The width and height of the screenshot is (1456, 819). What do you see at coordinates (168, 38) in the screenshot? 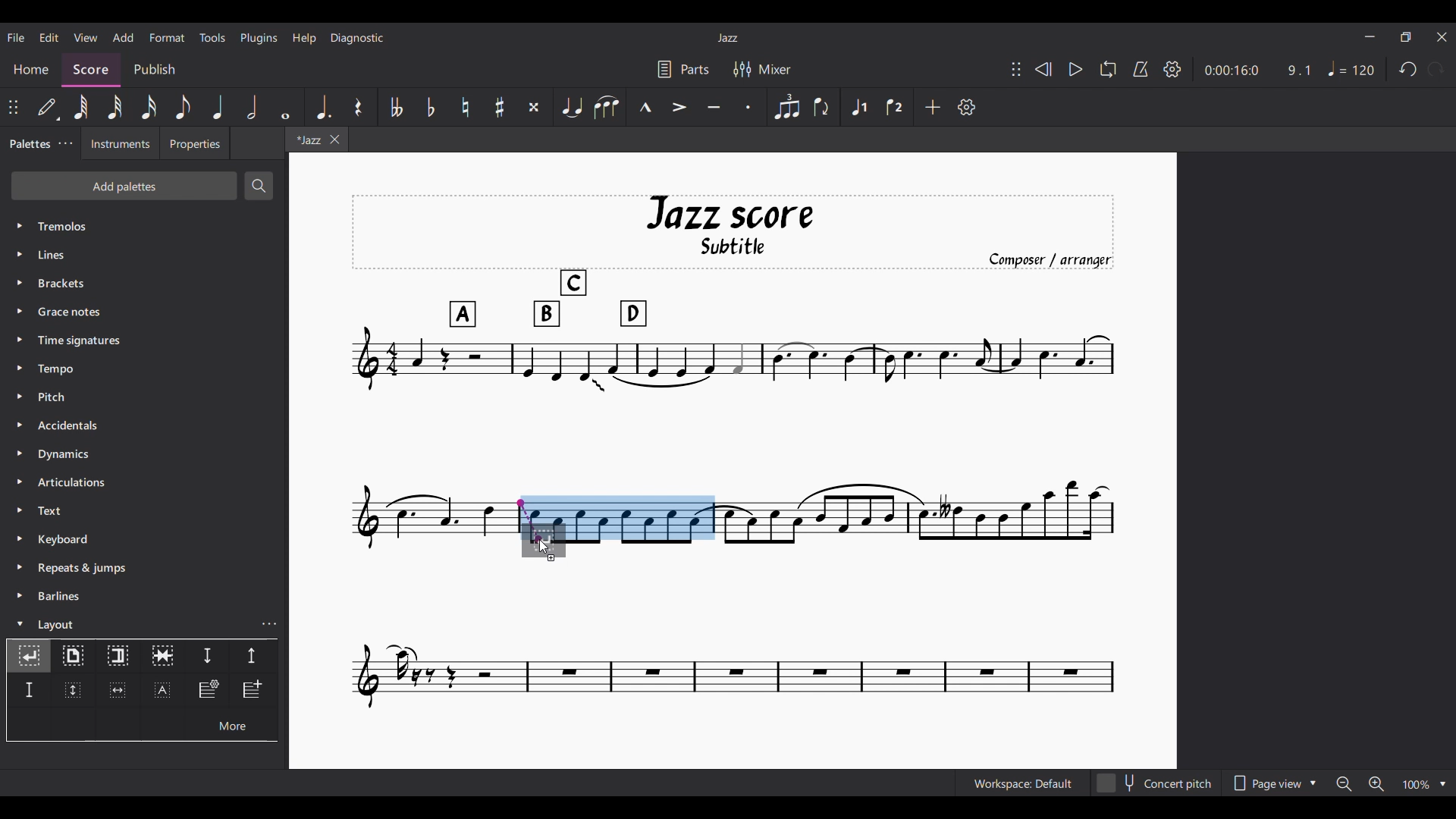
I see `Format menu` at bounding box center [168, 38].